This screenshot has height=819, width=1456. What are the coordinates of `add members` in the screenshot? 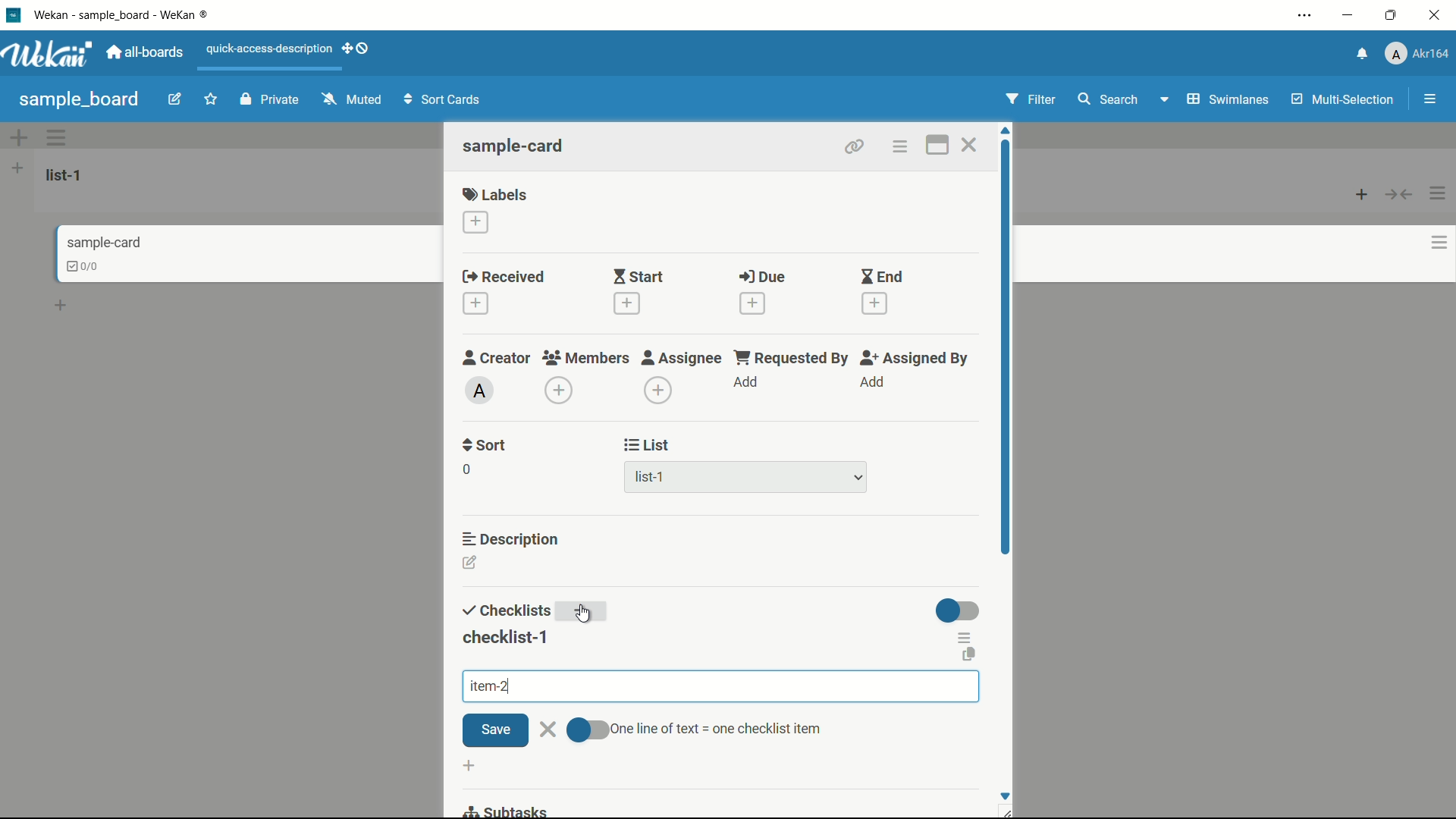 It's located at (561, 392).